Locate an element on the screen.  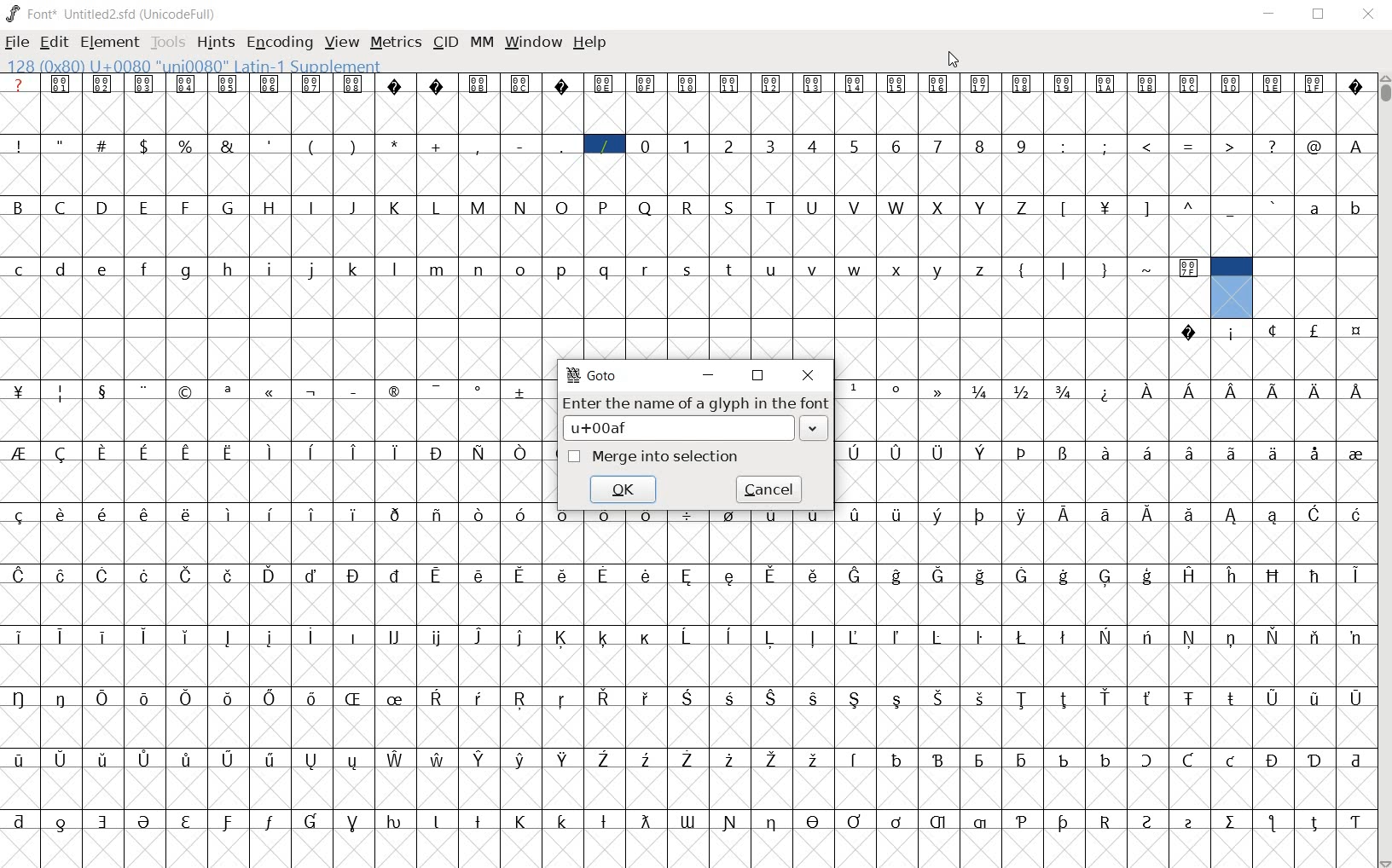
X is located at coordinates (940, 207).